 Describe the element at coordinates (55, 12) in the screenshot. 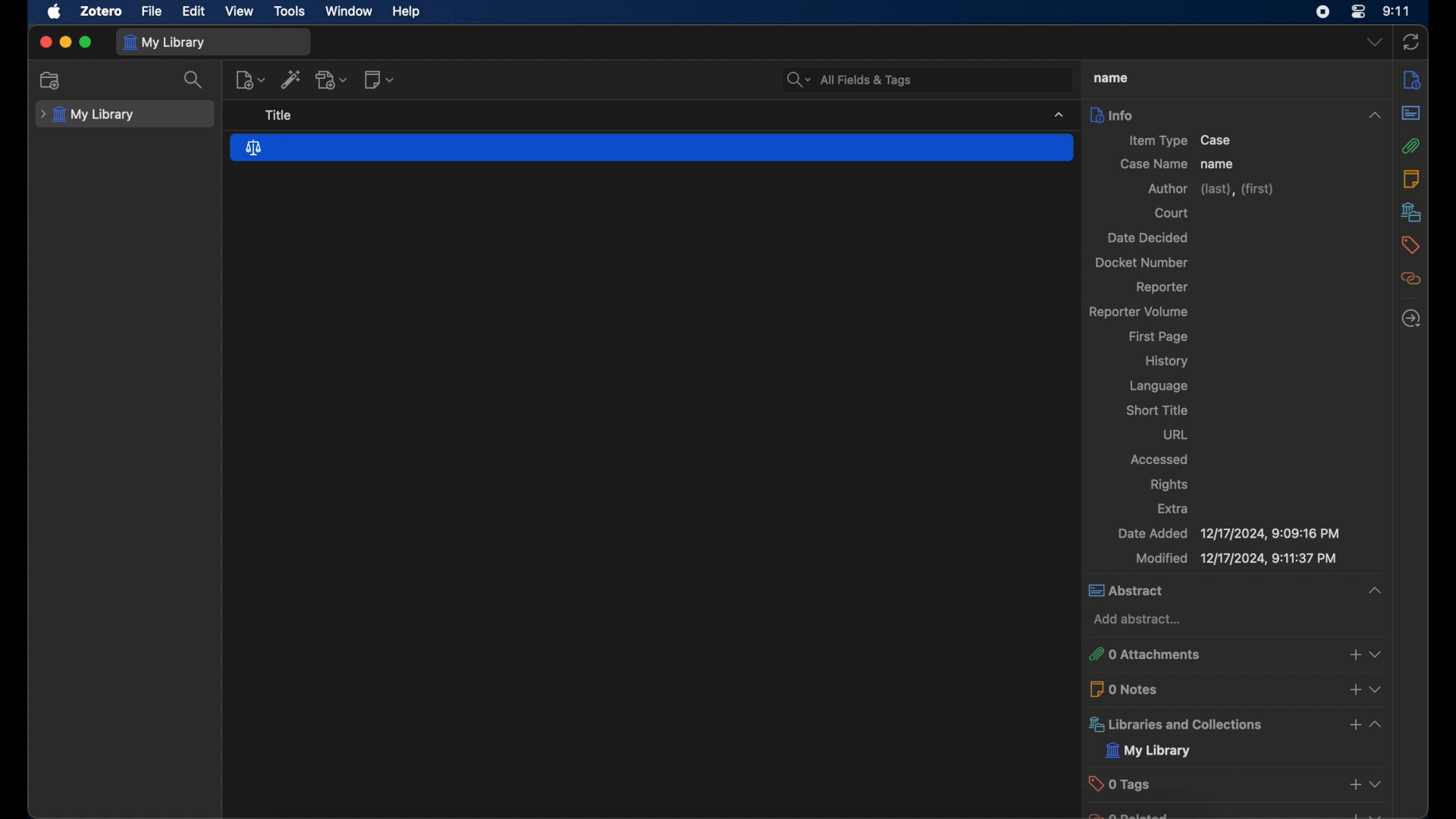

I see `apple icon` at that location.